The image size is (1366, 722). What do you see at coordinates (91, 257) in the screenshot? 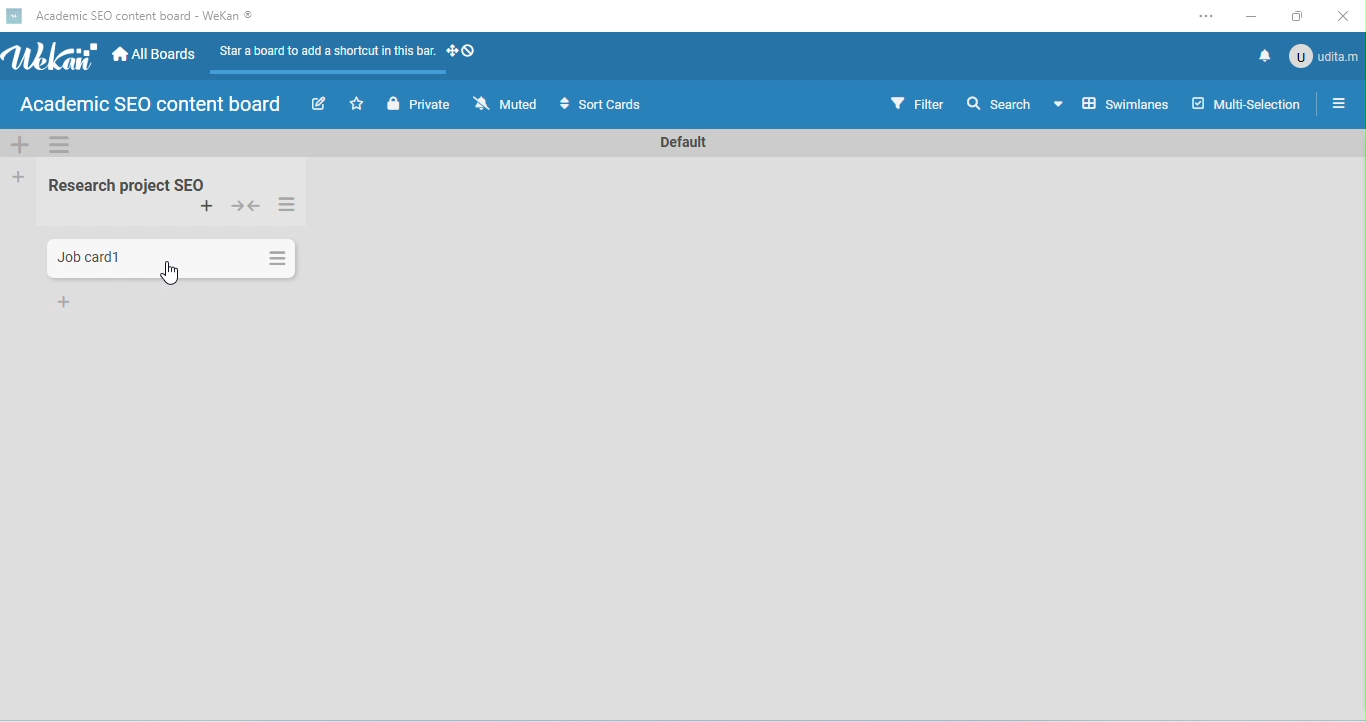
I see `card name: Job card1` at bounding box center [91, 257].